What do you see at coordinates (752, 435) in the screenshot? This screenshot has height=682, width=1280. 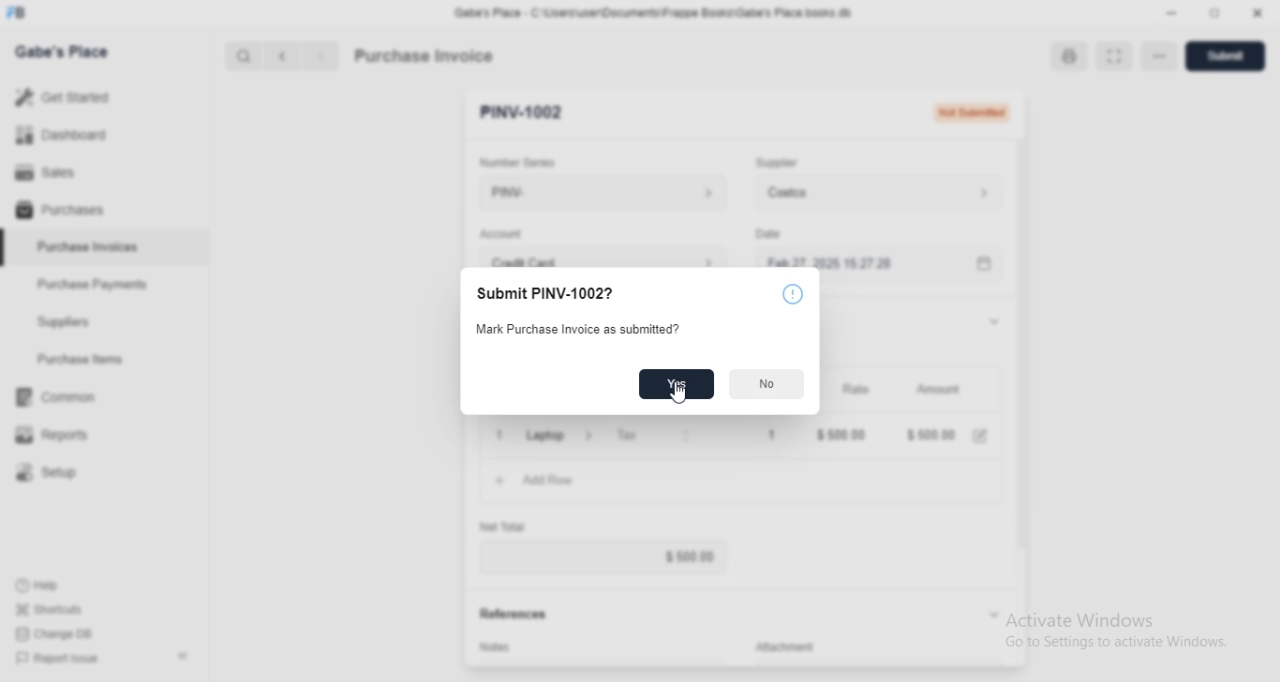 I see `1` at bounding box center [752, 435].